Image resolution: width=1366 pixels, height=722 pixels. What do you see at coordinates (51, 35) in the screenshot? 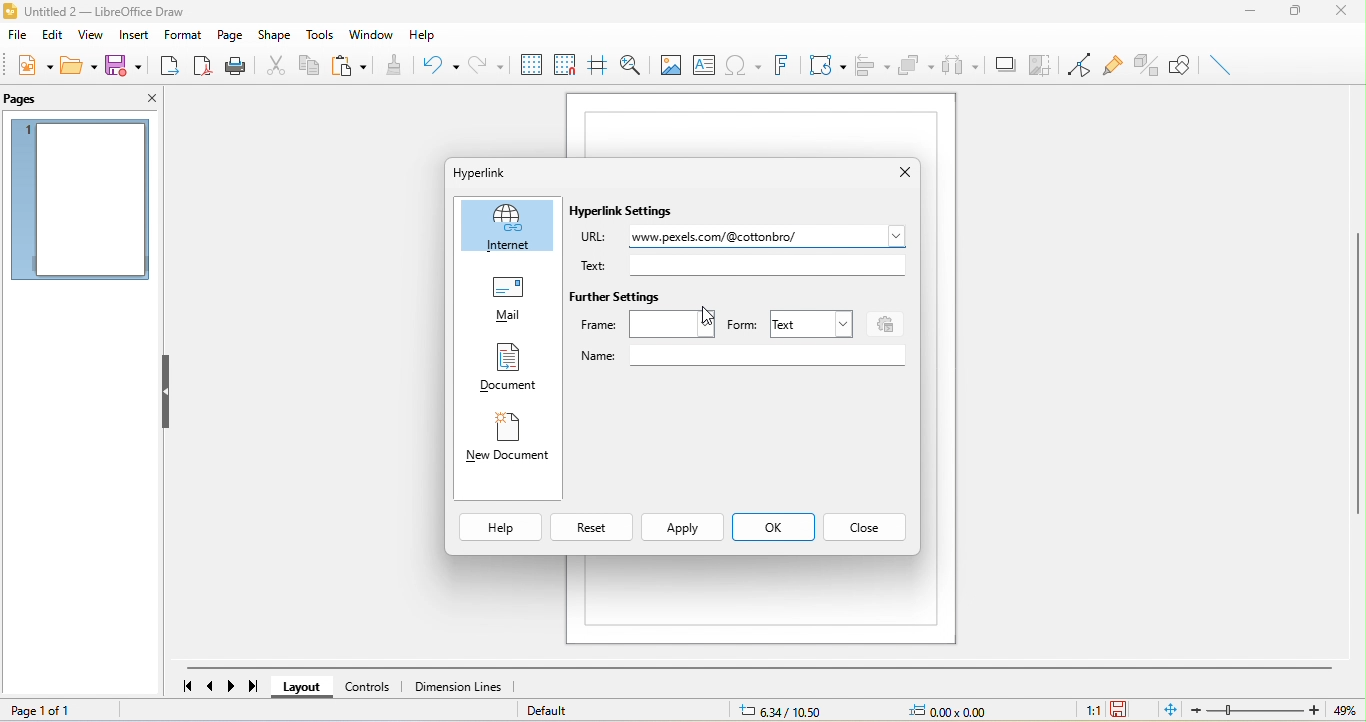
I see `edit` at bounding box center [51, 35].